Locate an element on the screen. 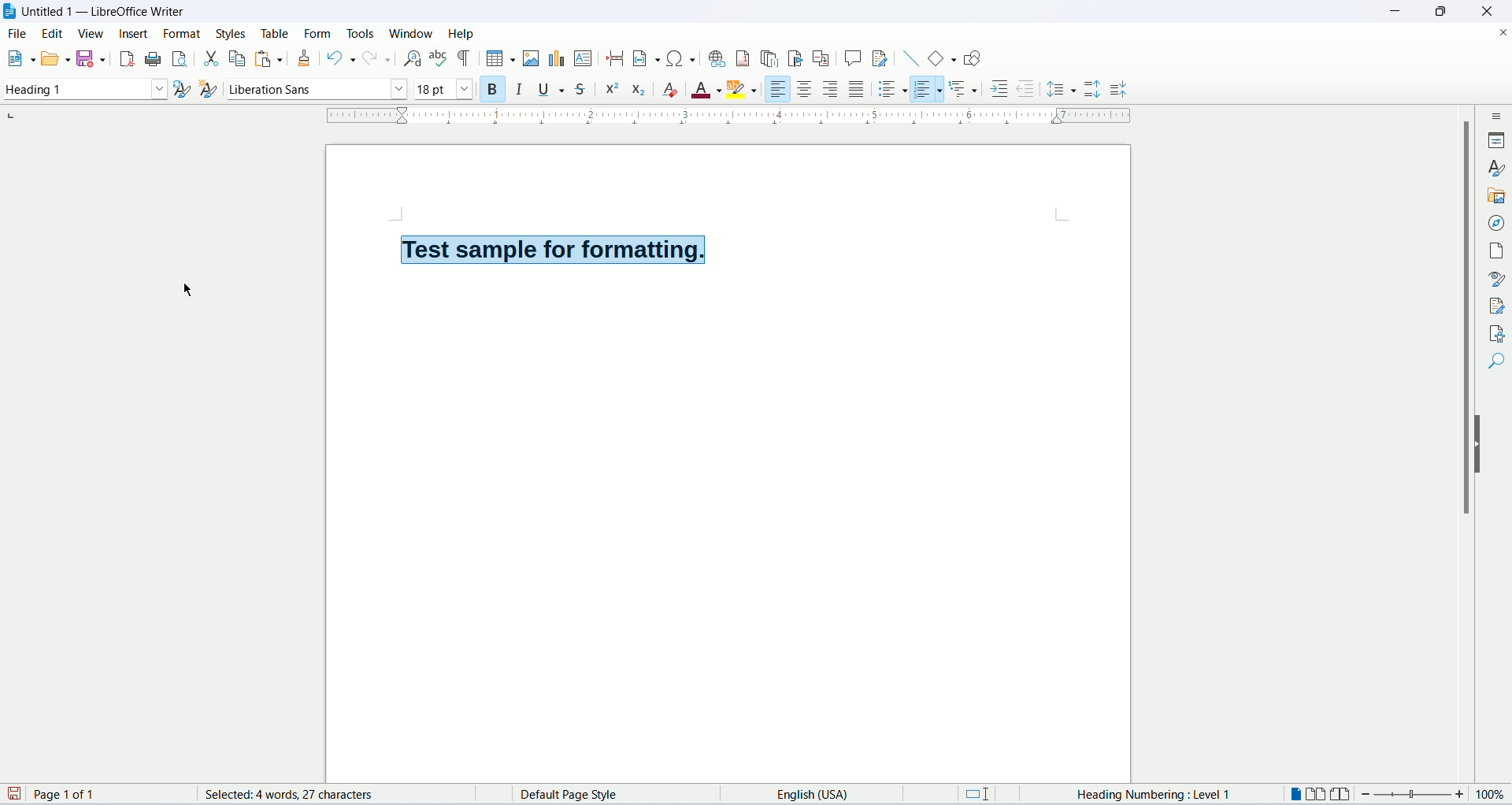 The image size is (1512, 805). insert textbox is located at coordinates (584, 58).